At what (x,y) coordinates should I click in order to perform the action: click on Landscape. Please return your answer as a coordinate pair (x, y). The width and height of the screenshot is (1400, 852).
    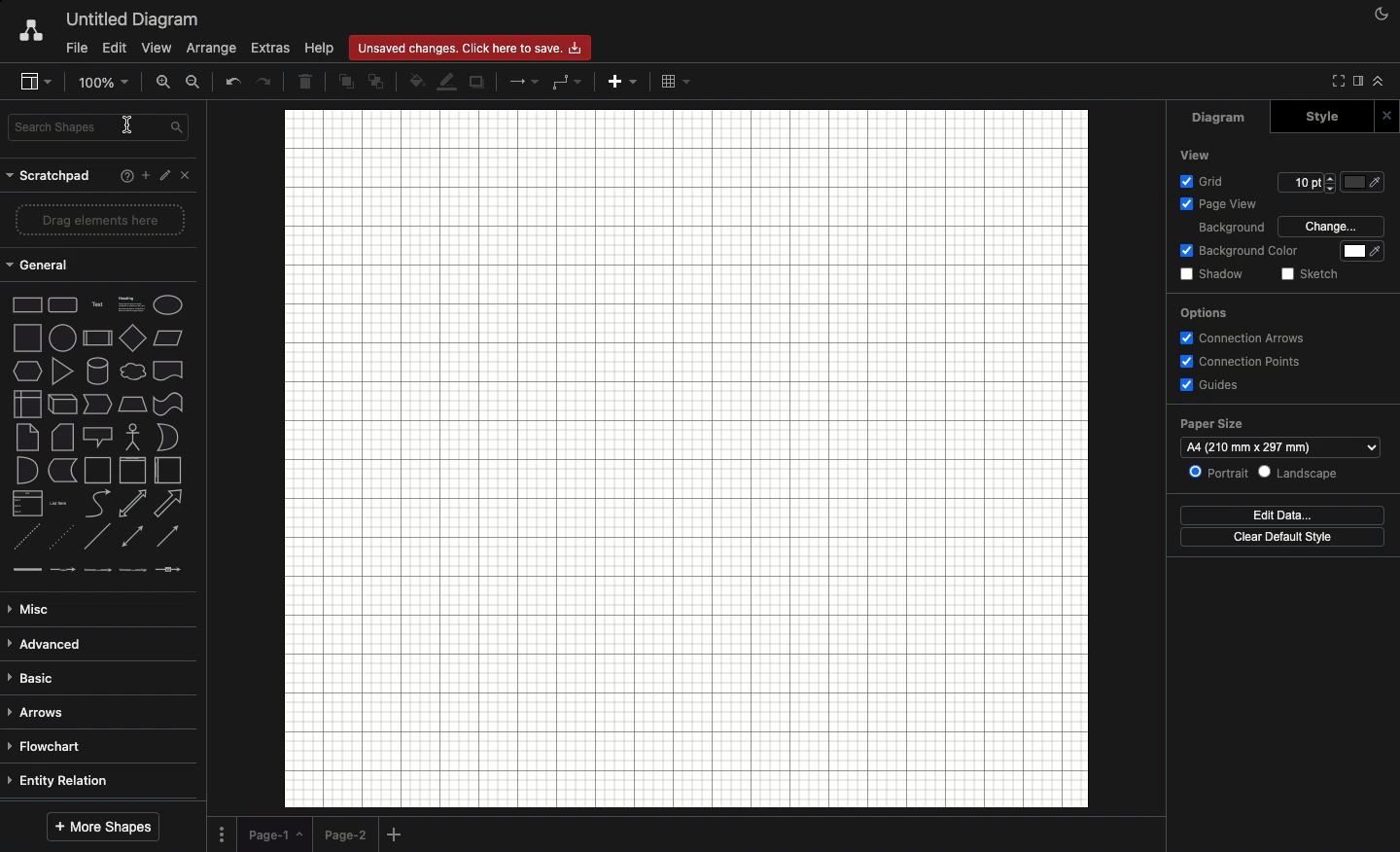
    Looking at the image, I should click on (1299, 471).